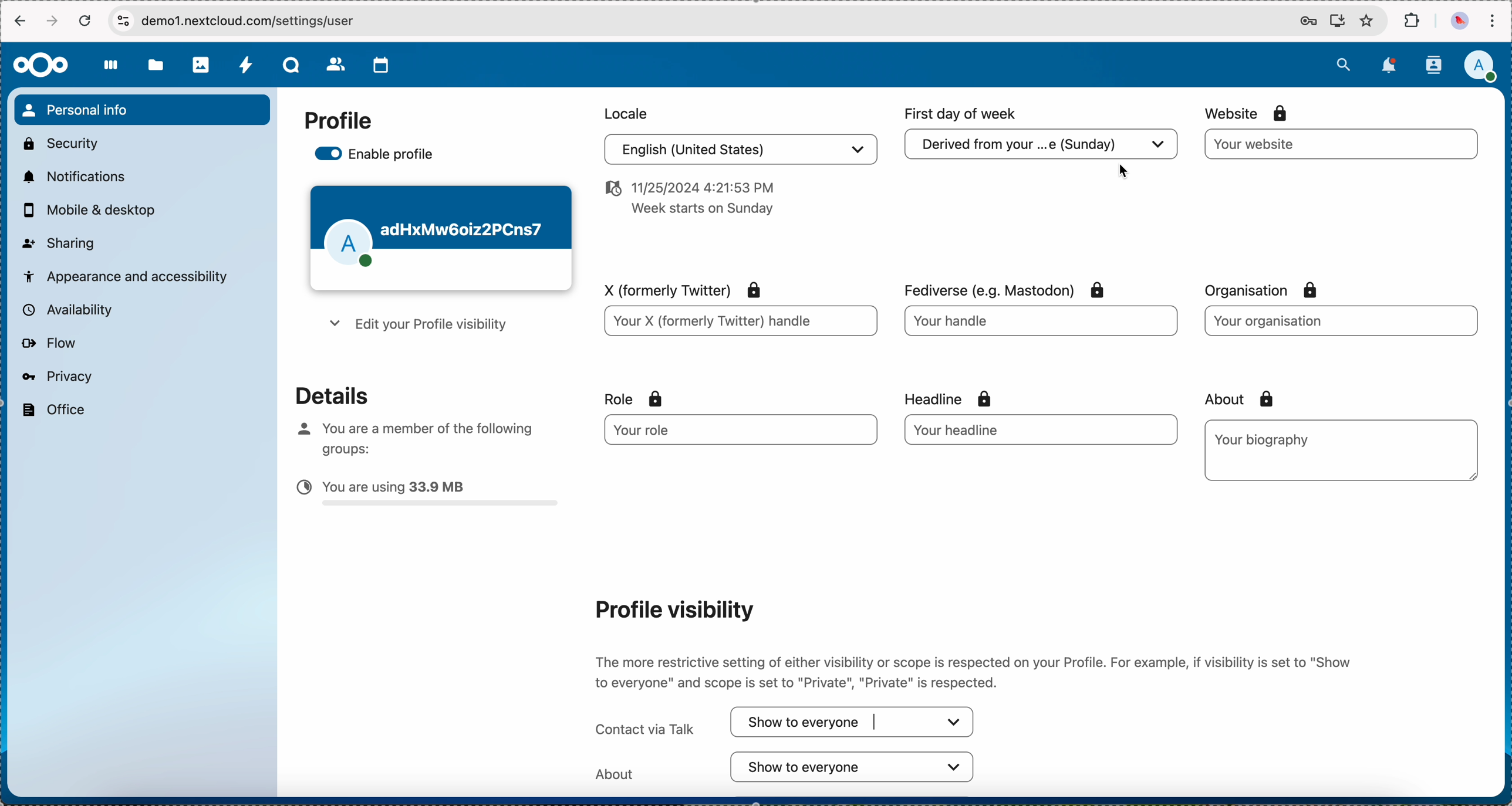  I want to click on navigate back, so click(18, 23).